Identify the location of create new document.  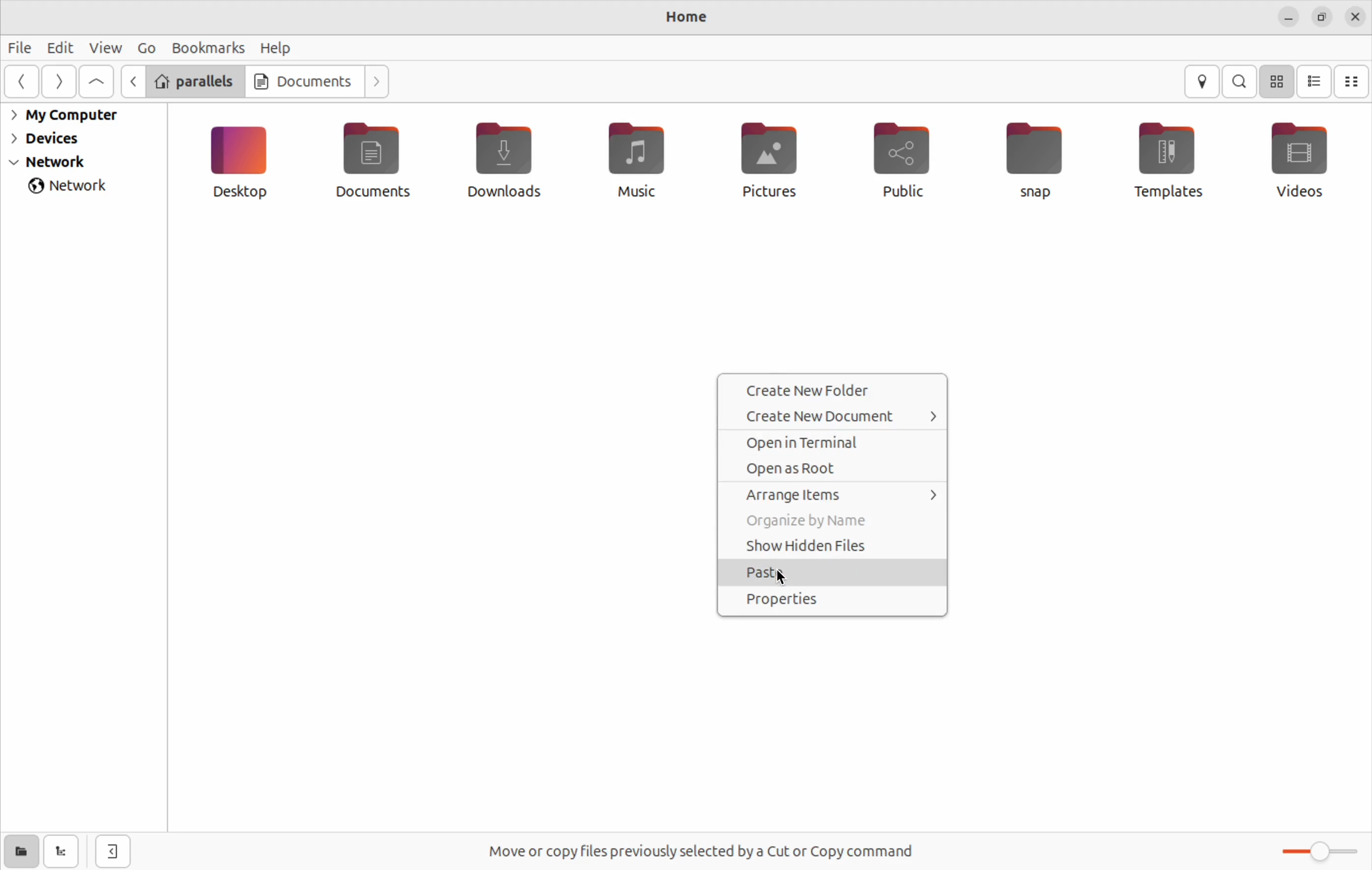
(840, 417).